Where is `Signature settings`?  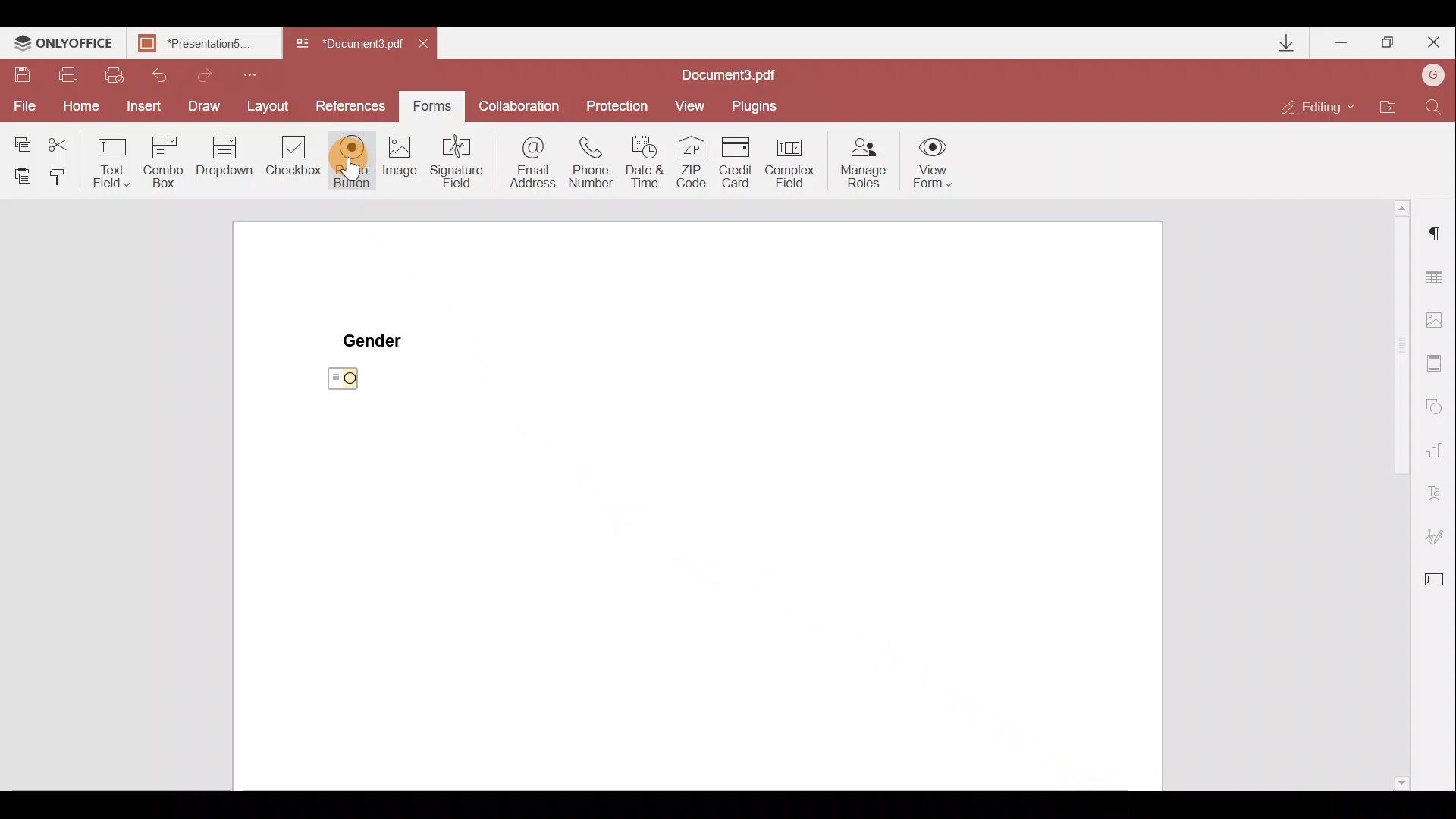 Signature settings is located at coordinates (1442, 536).